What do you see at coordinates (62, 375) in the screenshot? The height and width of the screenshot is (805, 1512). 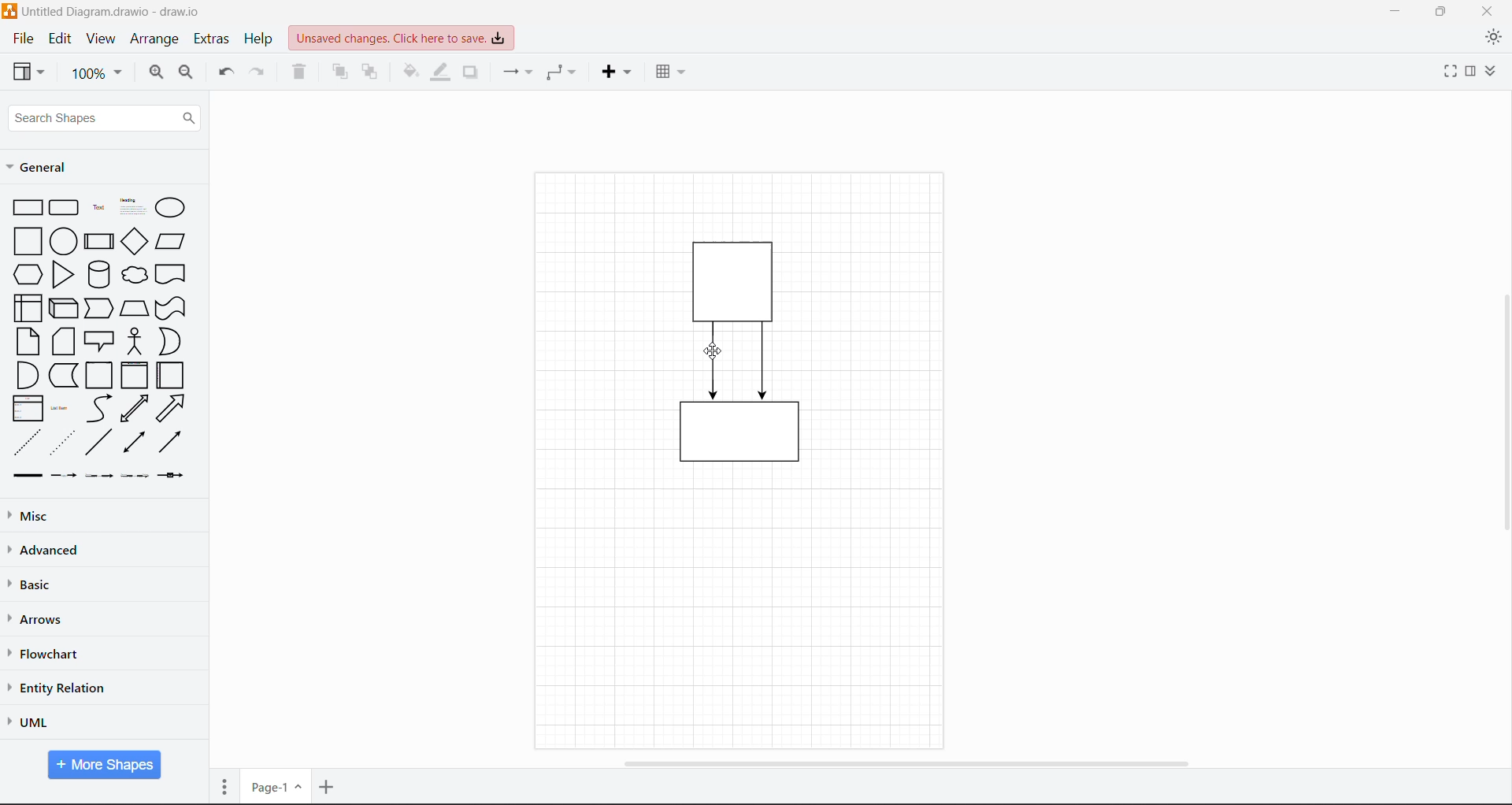 I see `Data Storage` at bounding box center [62, 375].